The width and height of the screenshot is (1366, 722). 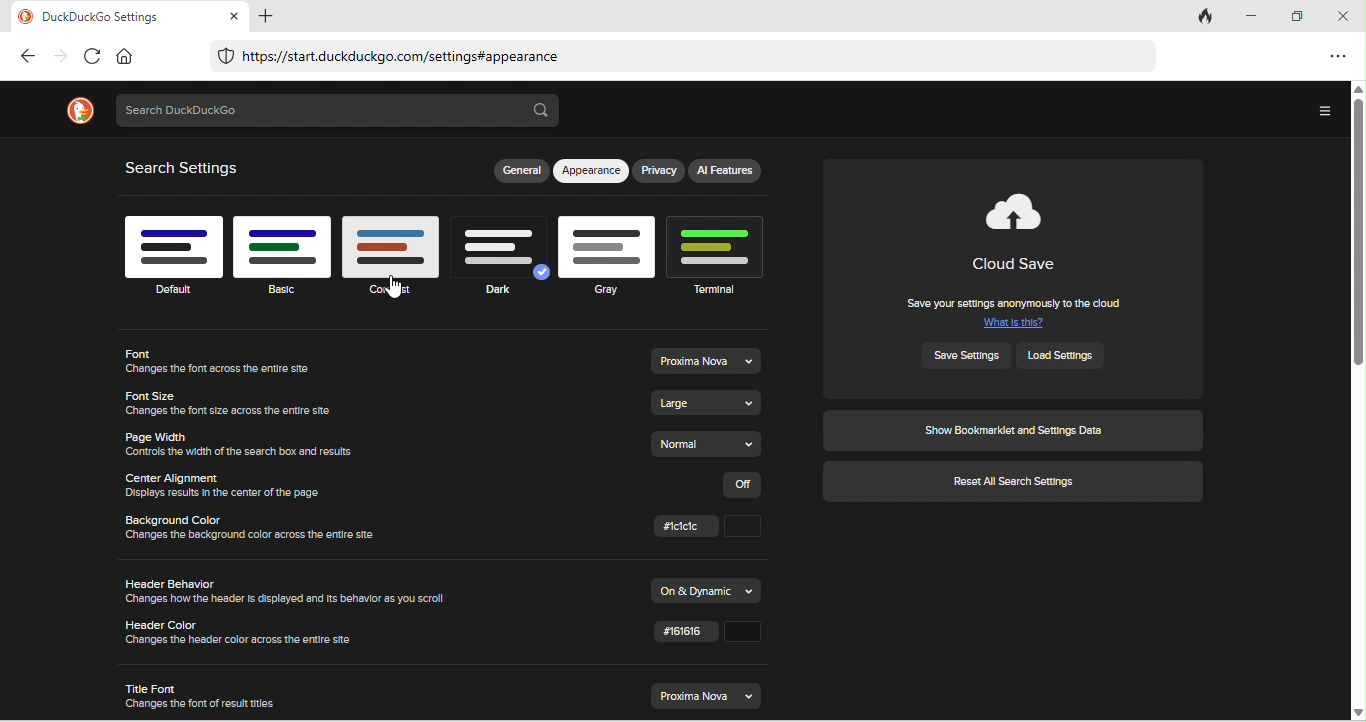 I want to click on off, so click(x=746, y=484).